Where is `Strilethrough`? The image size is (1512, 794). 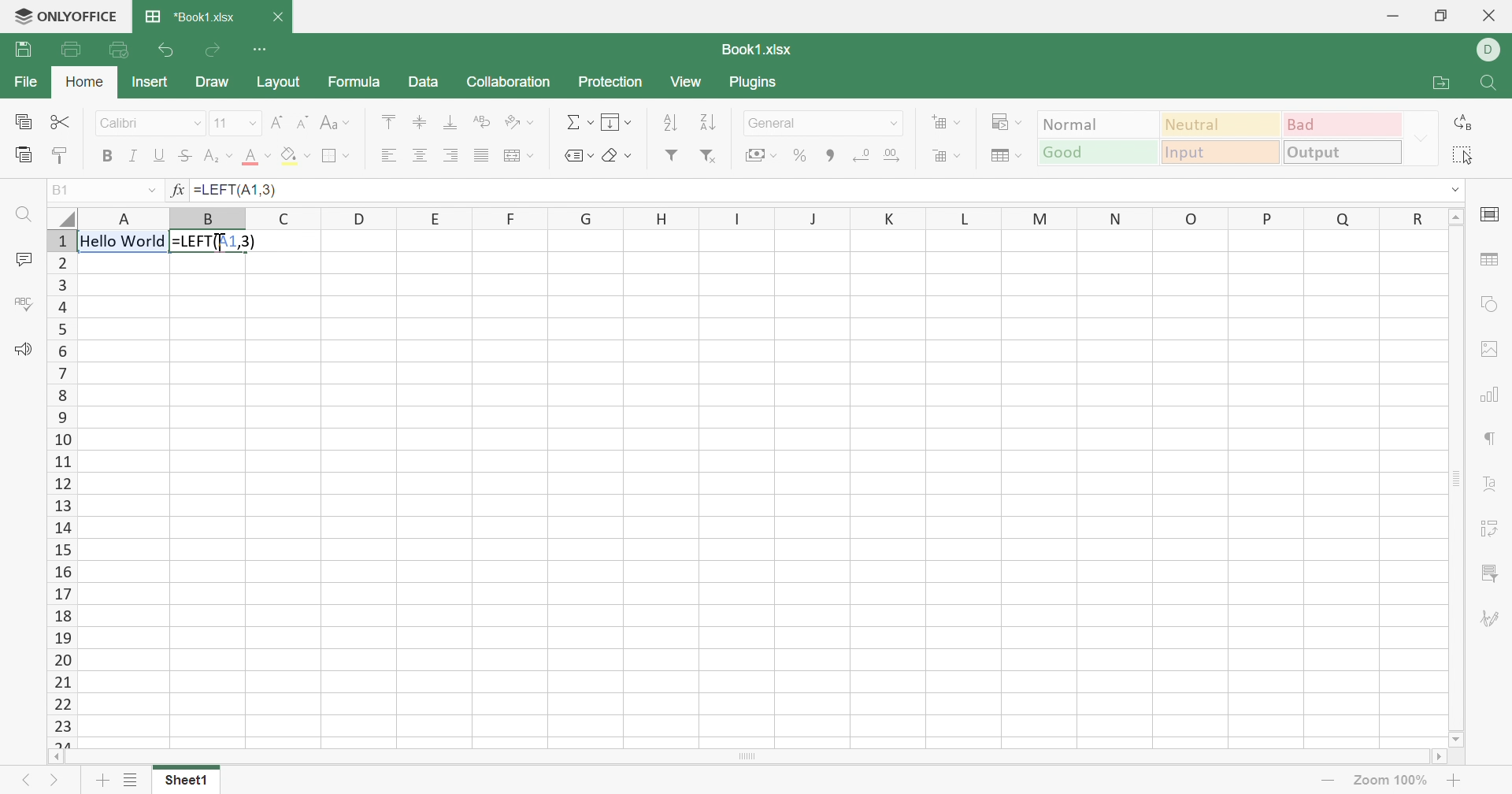 Strilethrough is located at coordinates (183, 155).